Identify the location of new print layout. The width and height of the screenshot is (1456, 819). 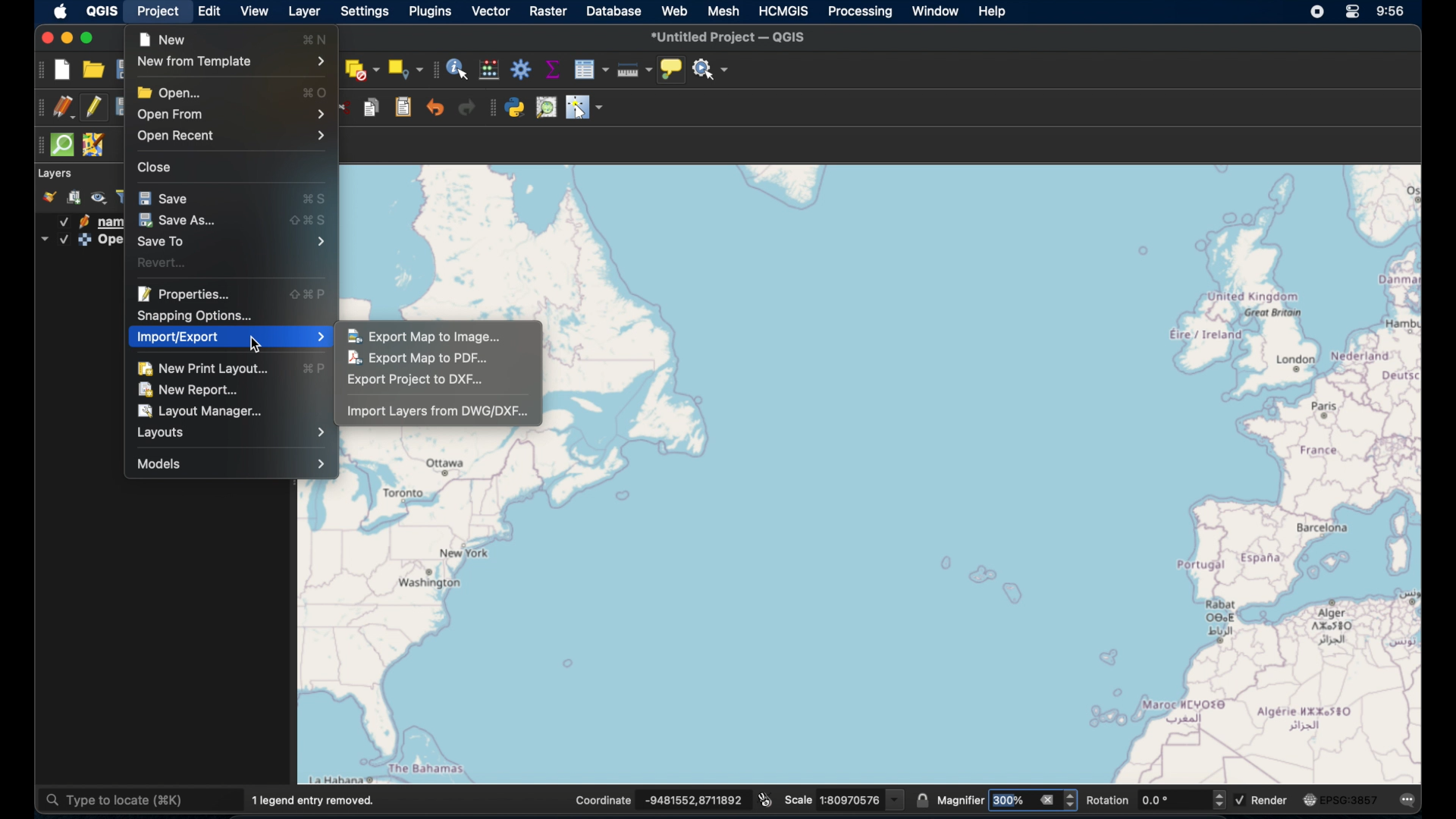
(202, 369).